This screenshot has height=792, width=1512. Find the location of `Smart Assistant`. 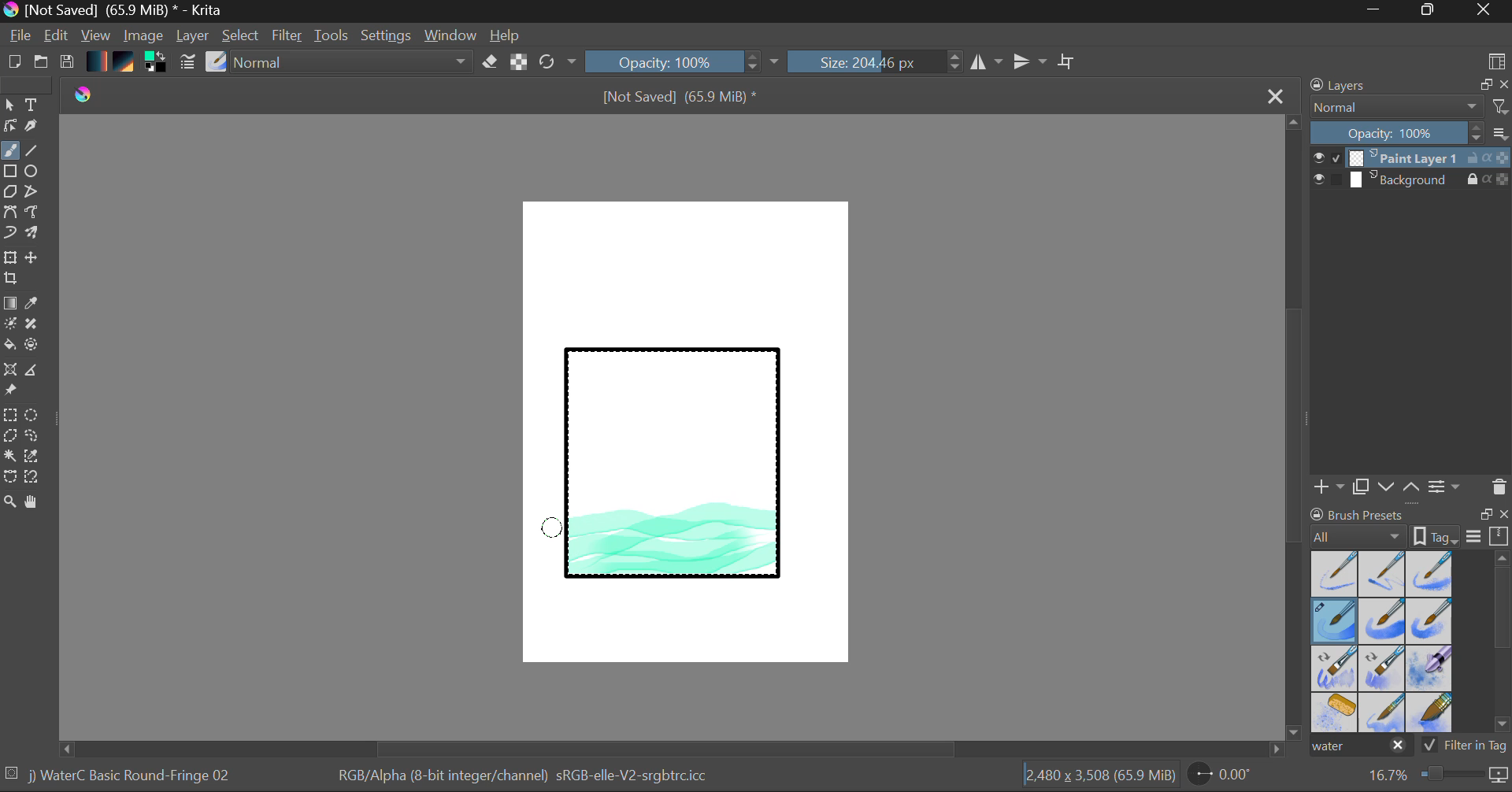

Smart Assistant is located at coordinates (9, 372).